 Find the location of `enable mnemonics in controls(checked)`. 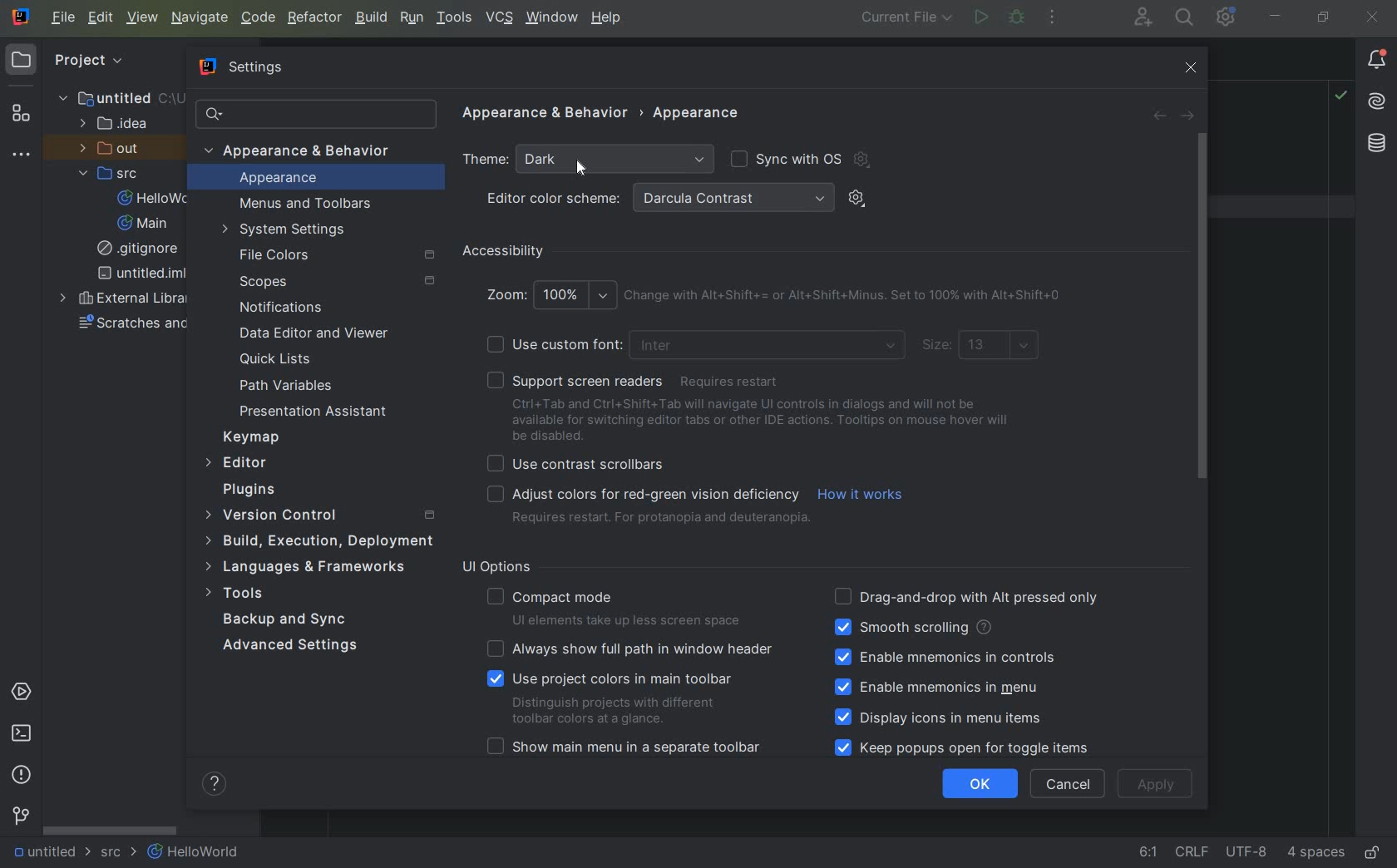

enable mnemonics in controls(checked) is located at coordinates (945, 657).